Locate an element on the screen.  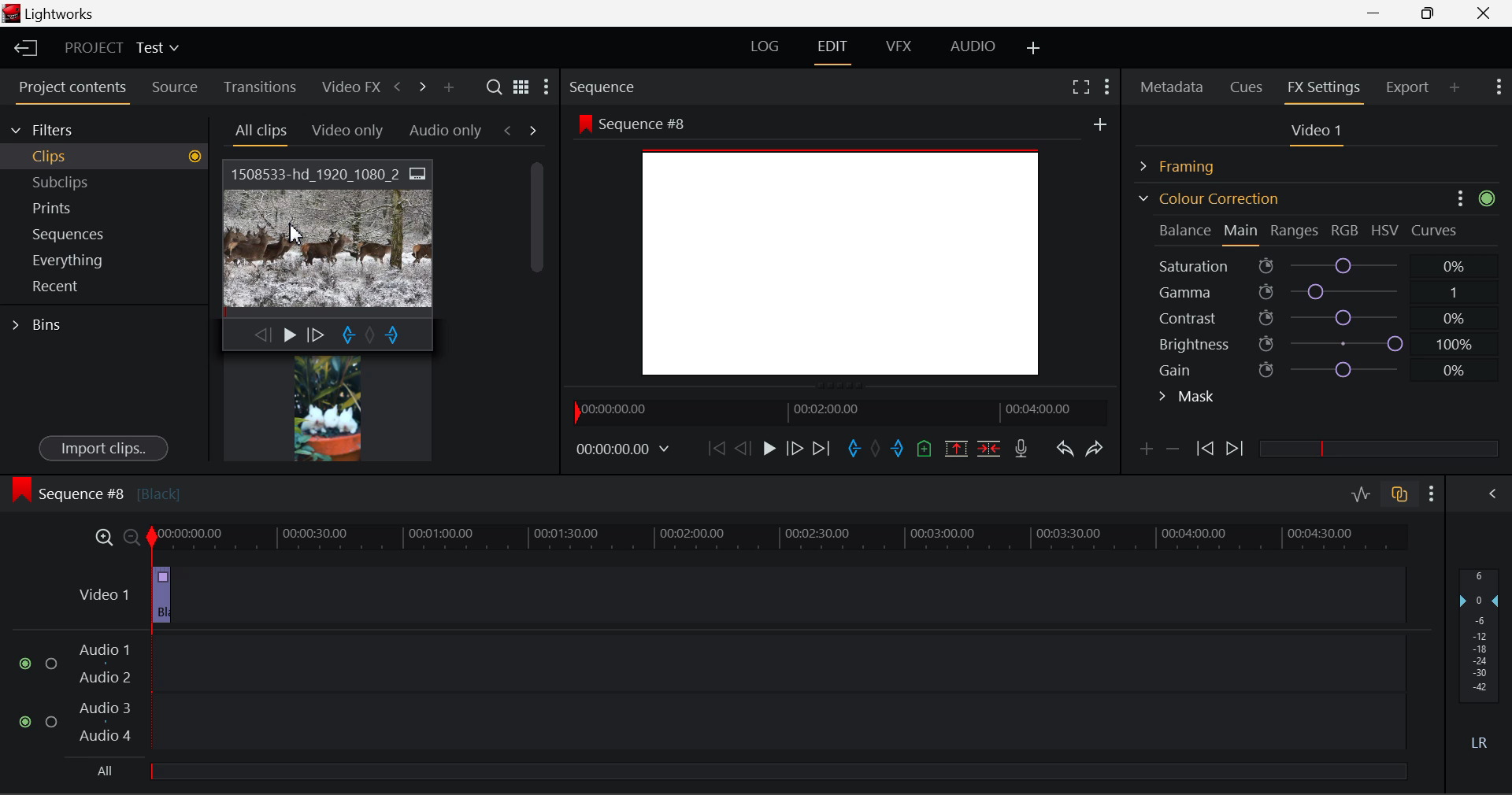
Frame Time is located at coordinates (624, 450).